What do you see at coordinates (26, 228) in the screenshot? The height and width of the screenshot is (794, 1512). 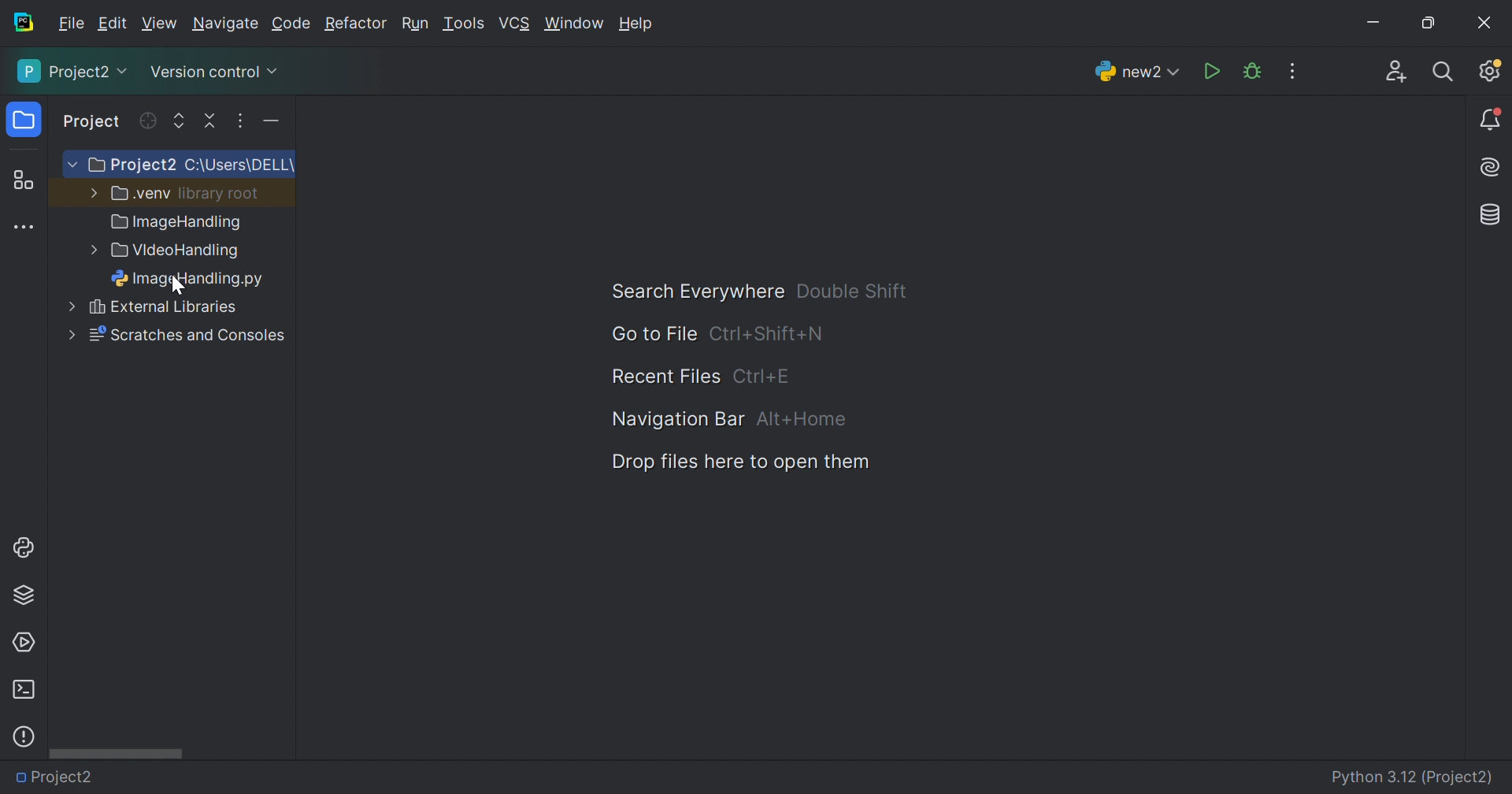 I see `More tool windows` at bounding box center [26, 228].